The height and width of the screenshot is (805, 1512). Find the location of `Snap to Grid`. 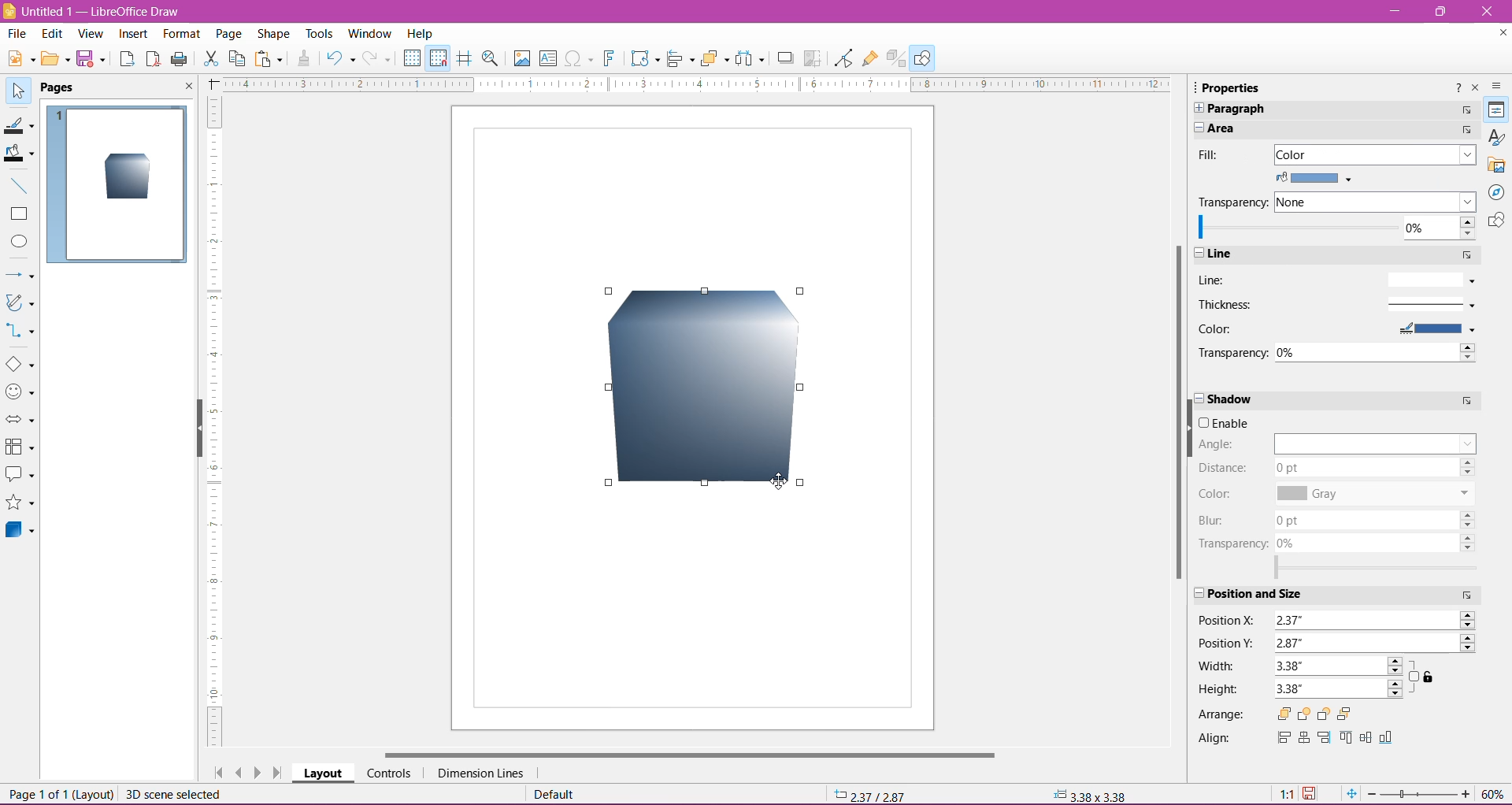

Snap to Grid is located at coordinates (437, 57).